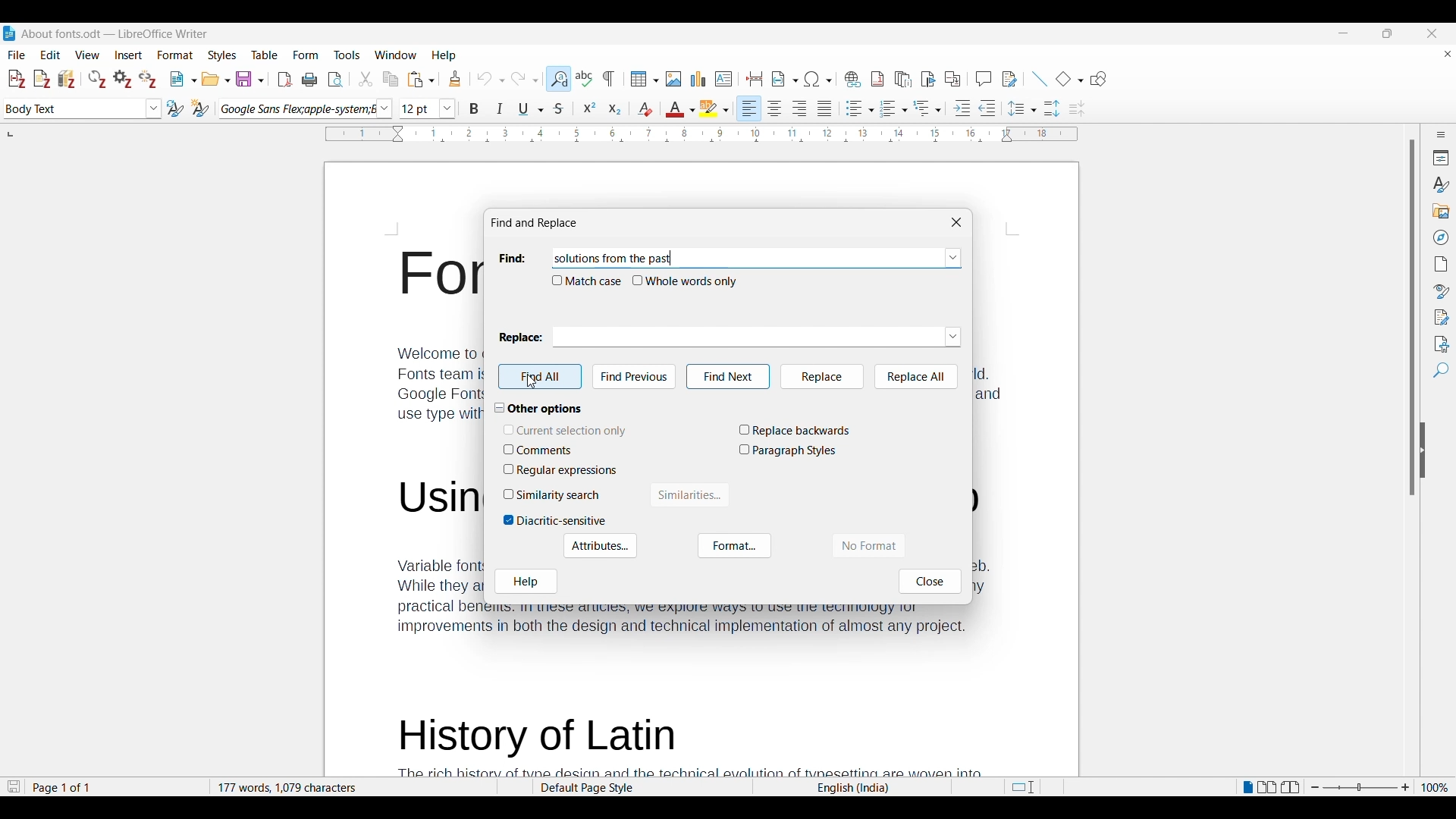 This screenshot has height=819, width=1456. Describe the element at coordinates (419, 109) in the screenshot. I see `Type in text size` at that location.